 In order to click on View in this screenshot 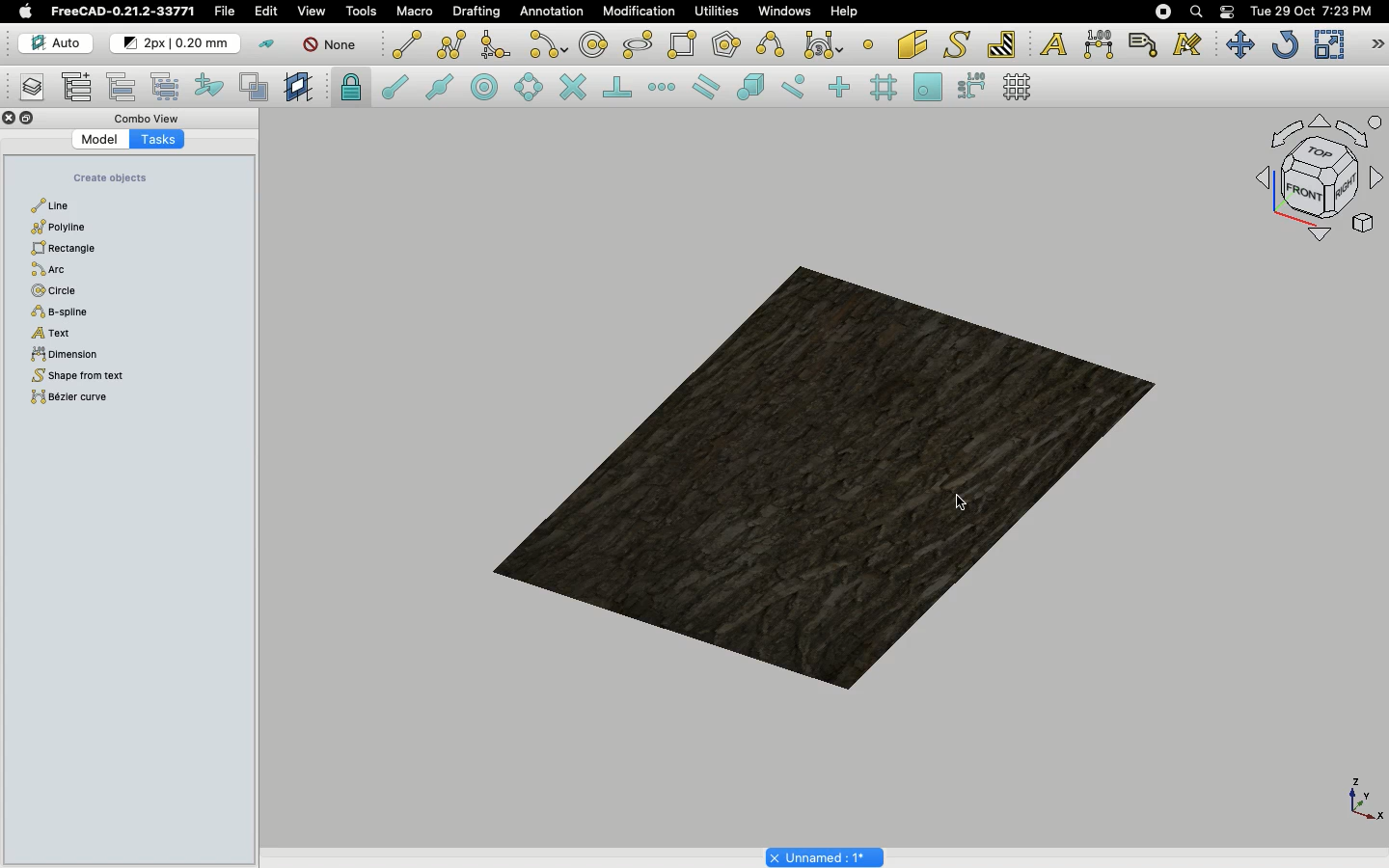, I will do `click(308, 12)`.